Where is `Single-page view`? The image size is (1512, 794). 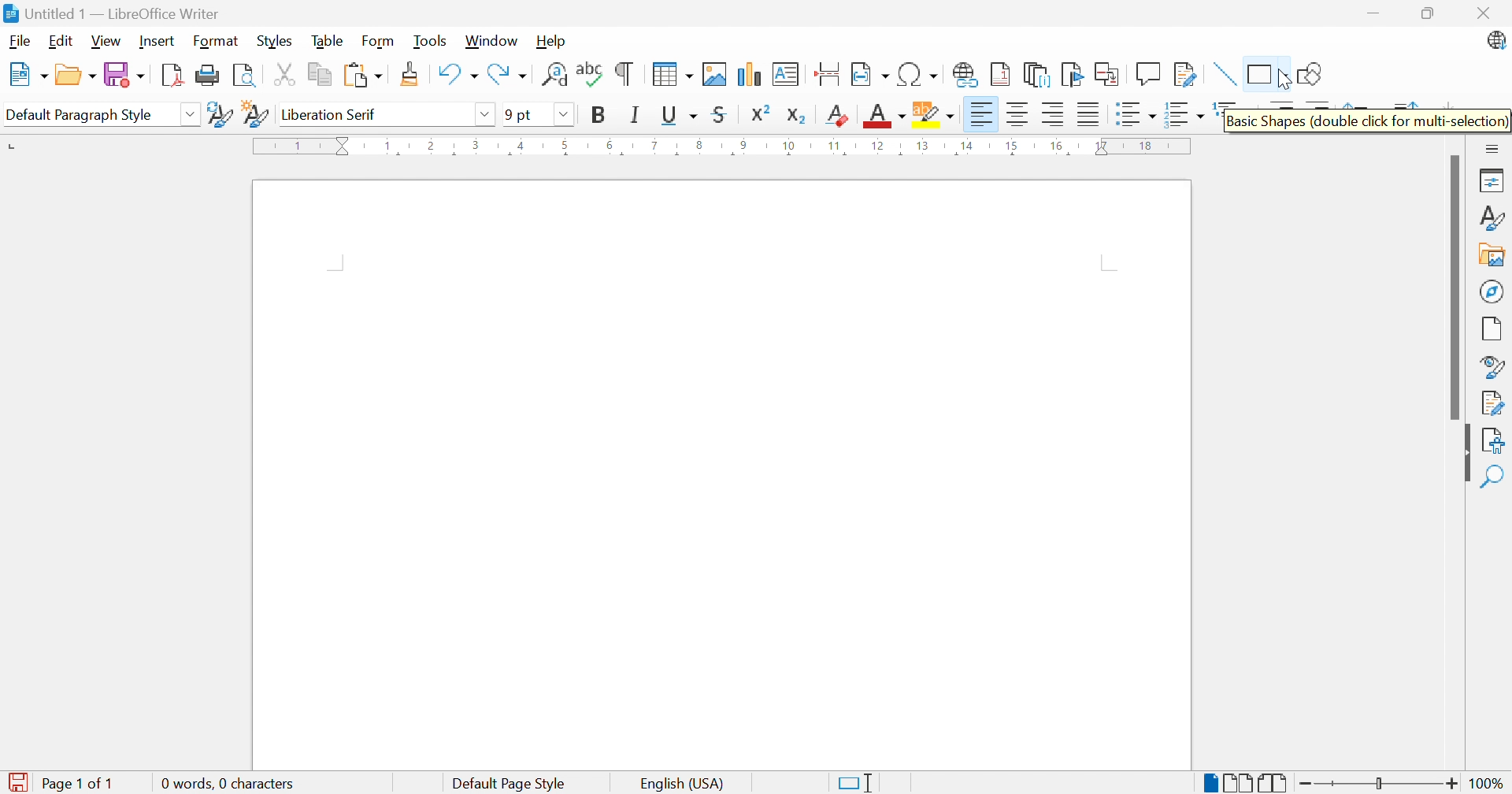 Single-page view is located at coordinates (1213, 785).